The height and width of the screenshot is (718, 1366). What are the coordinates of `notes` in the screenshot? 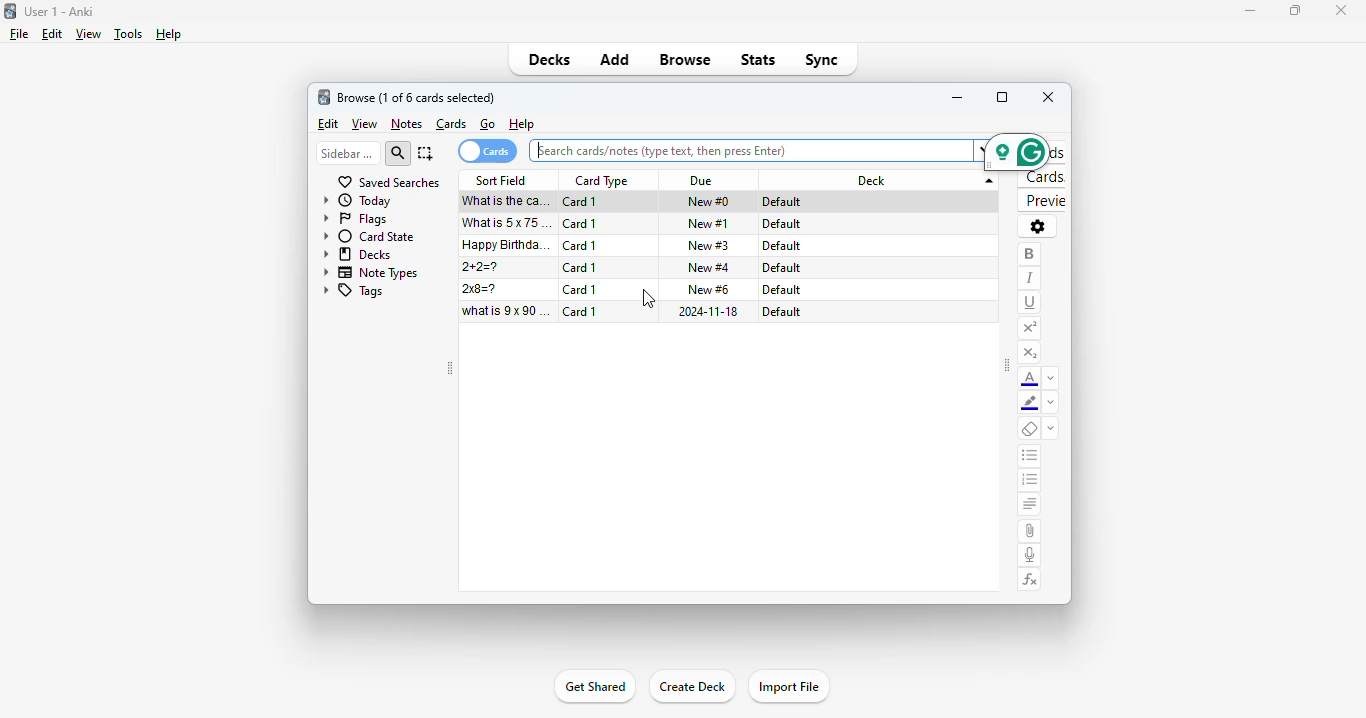 It's located at (406, 124).